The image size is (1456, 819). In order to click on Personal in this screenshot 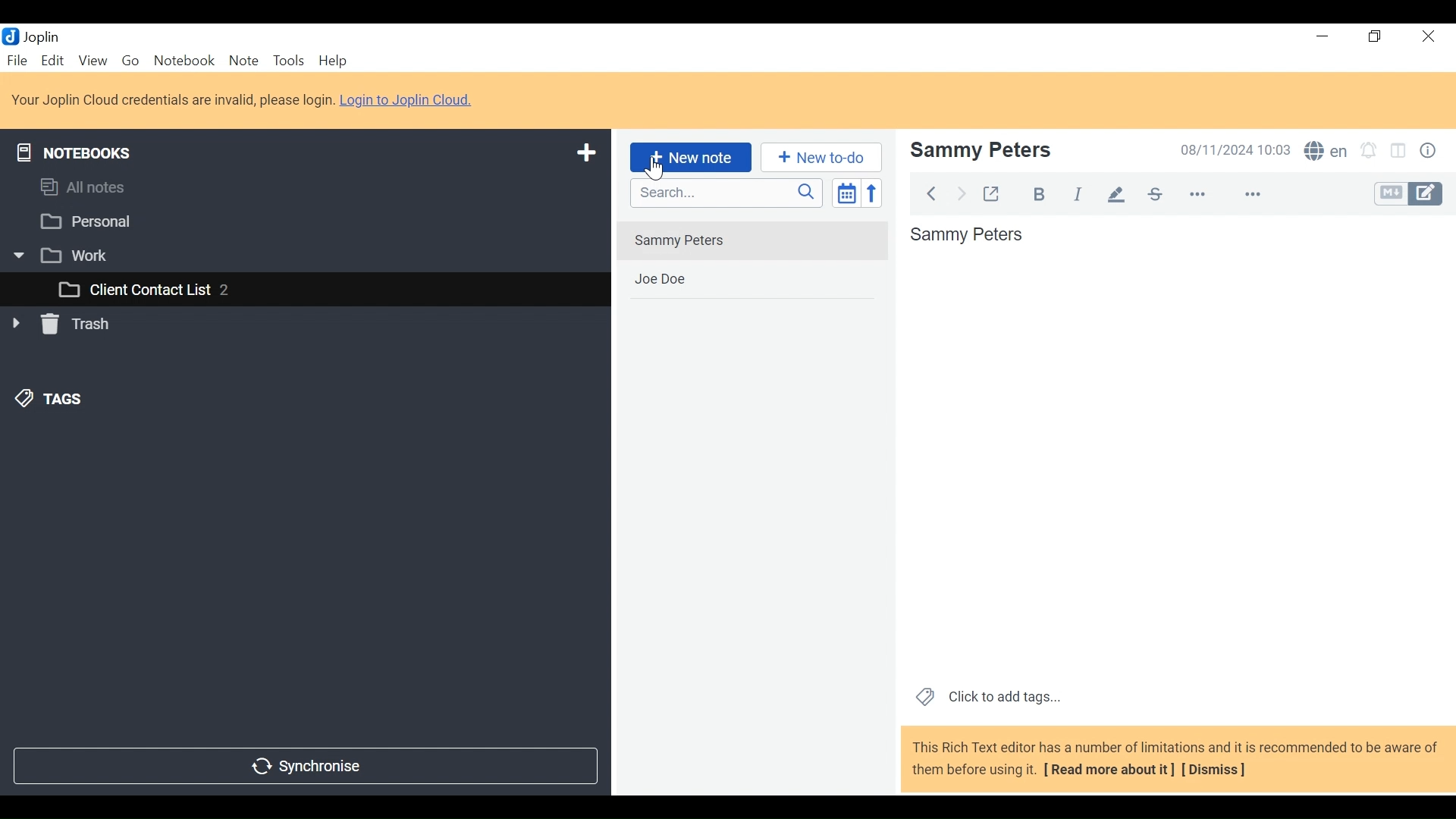, I will do `click(300, 221)`.